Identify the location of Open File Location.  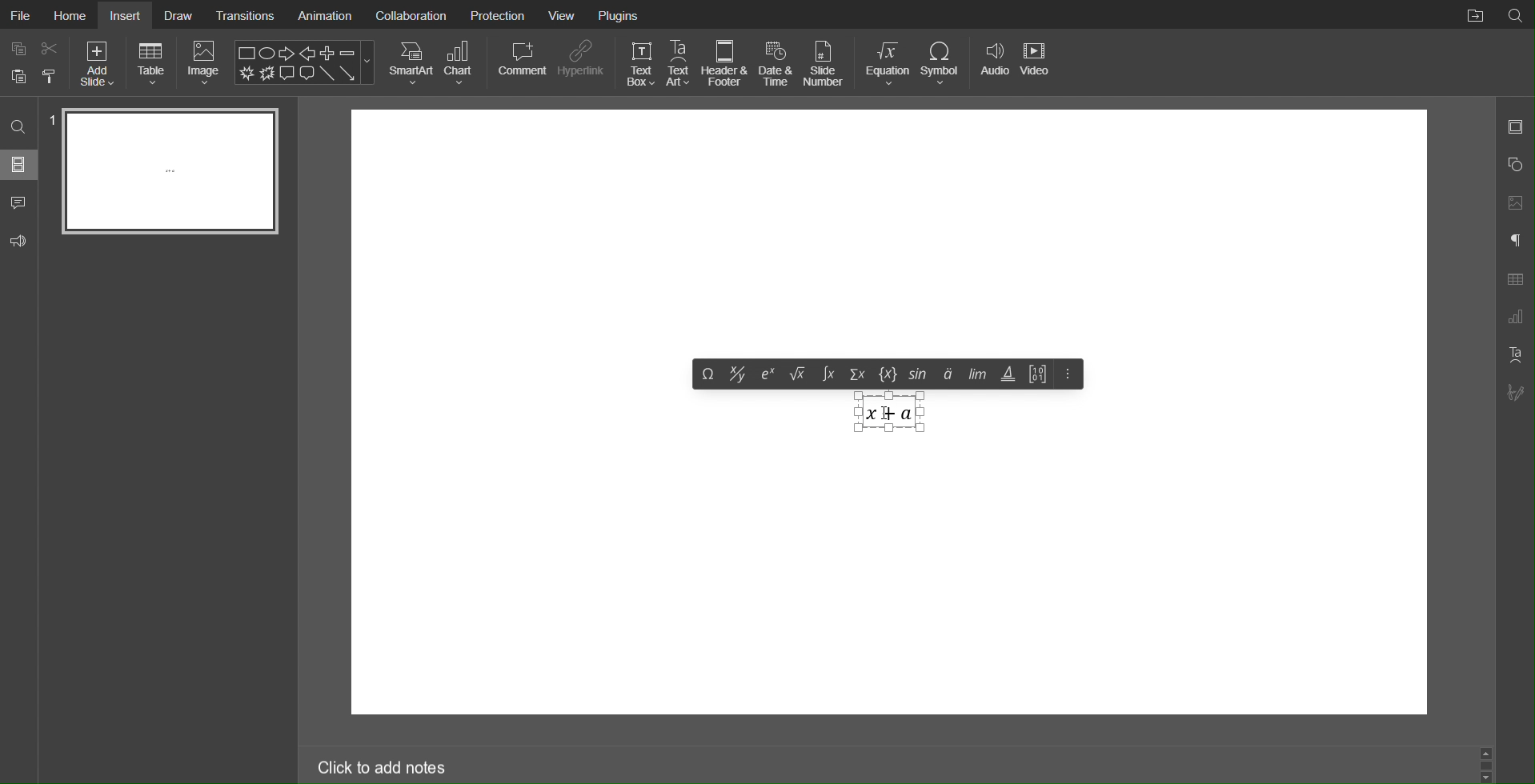
(1473, 16).